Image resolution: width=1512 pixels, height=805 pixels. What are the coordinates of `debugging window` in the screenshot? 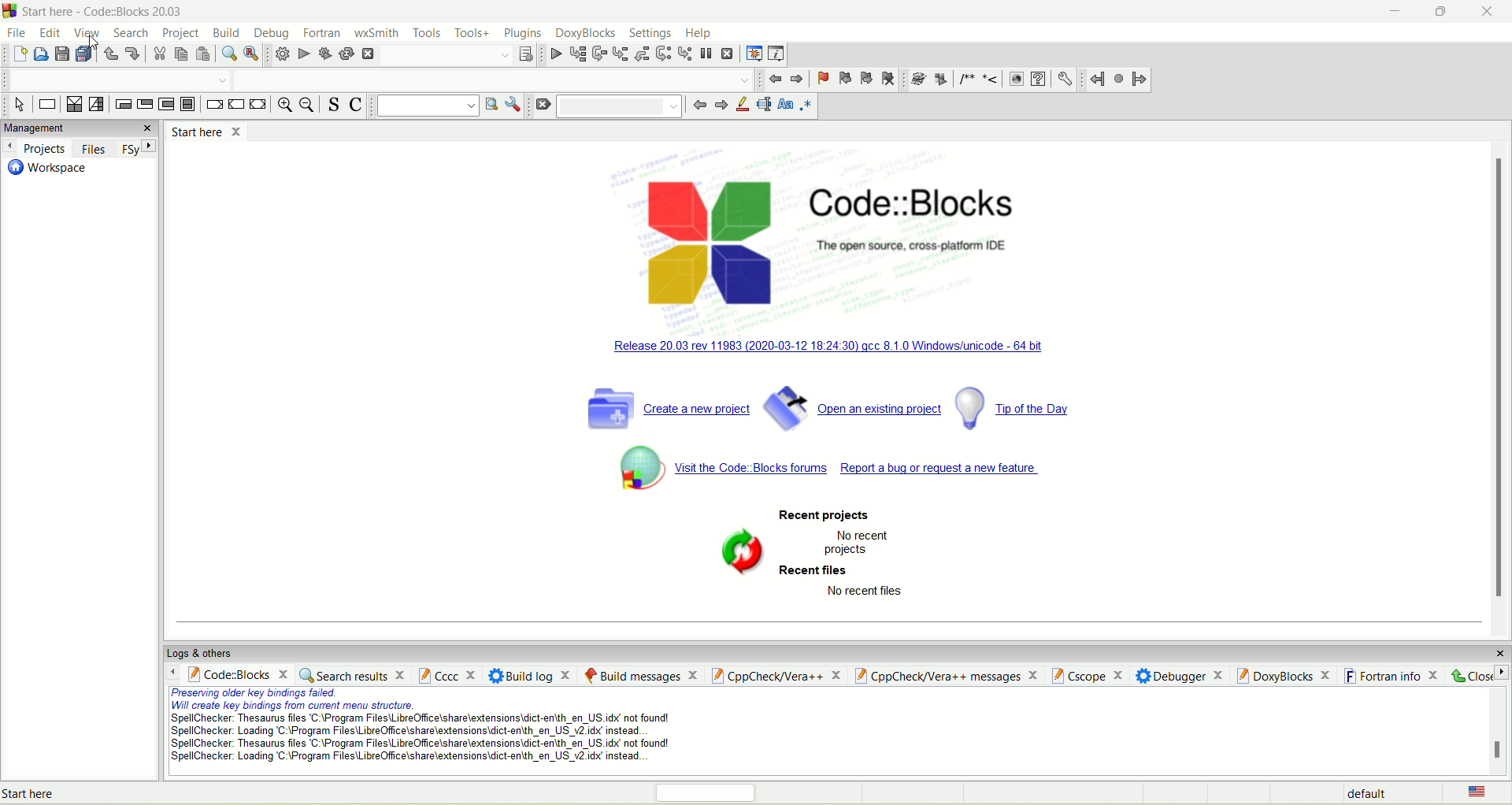 It's located at (752, 54).